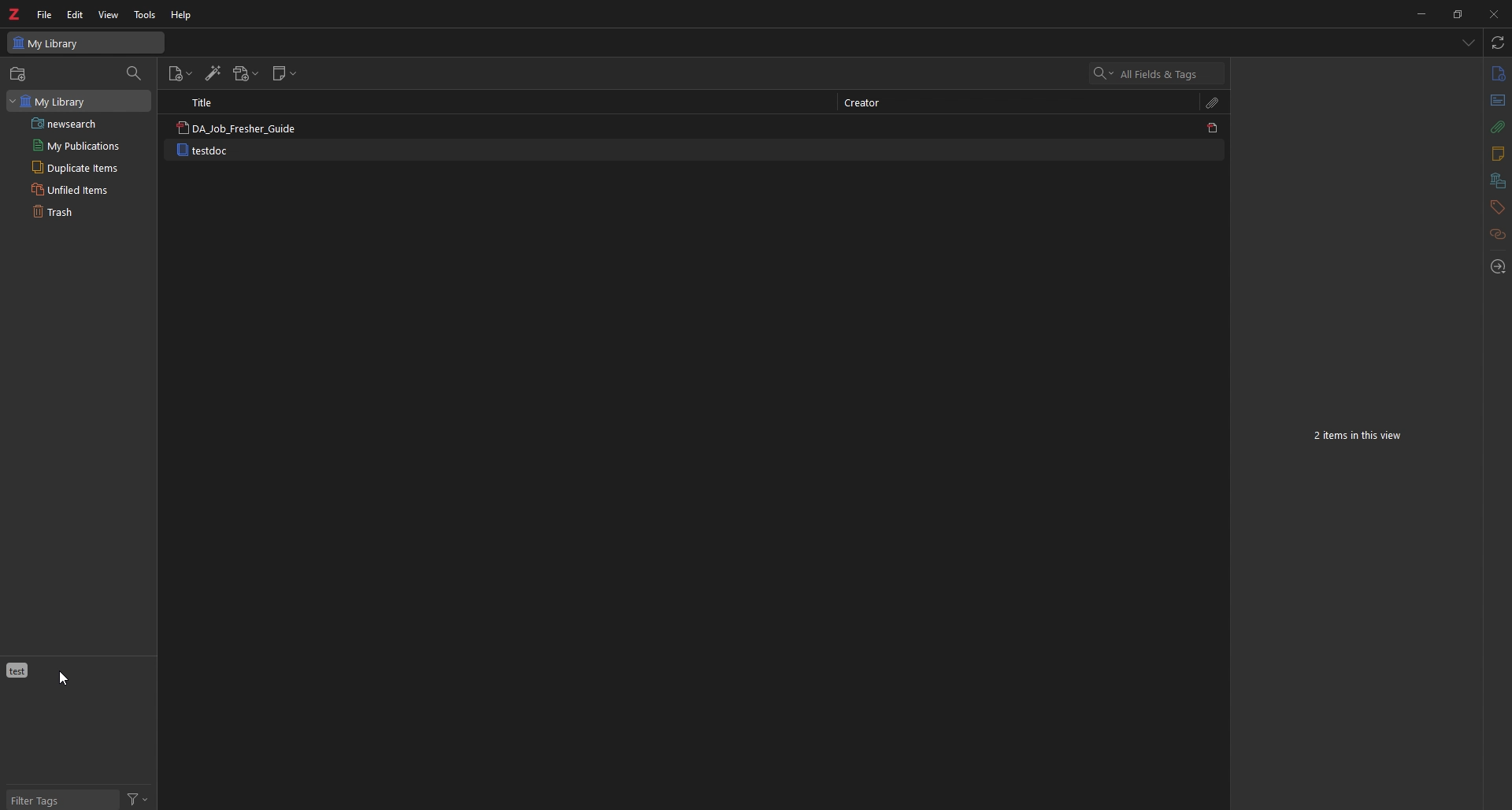 The height and width of the screenshot is (810, 1512). I want to click on related, so click(1499, 233).